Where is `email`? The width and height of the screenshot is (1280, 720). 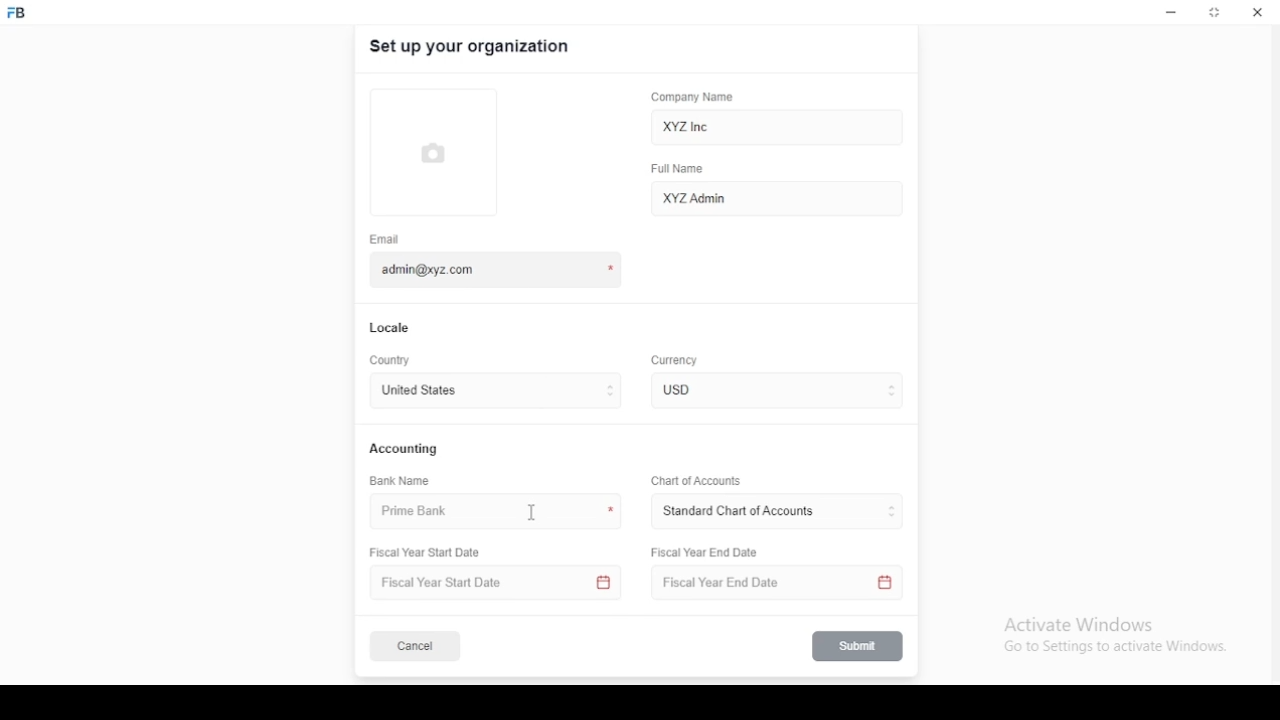
email is located at coordinates (385, 239).